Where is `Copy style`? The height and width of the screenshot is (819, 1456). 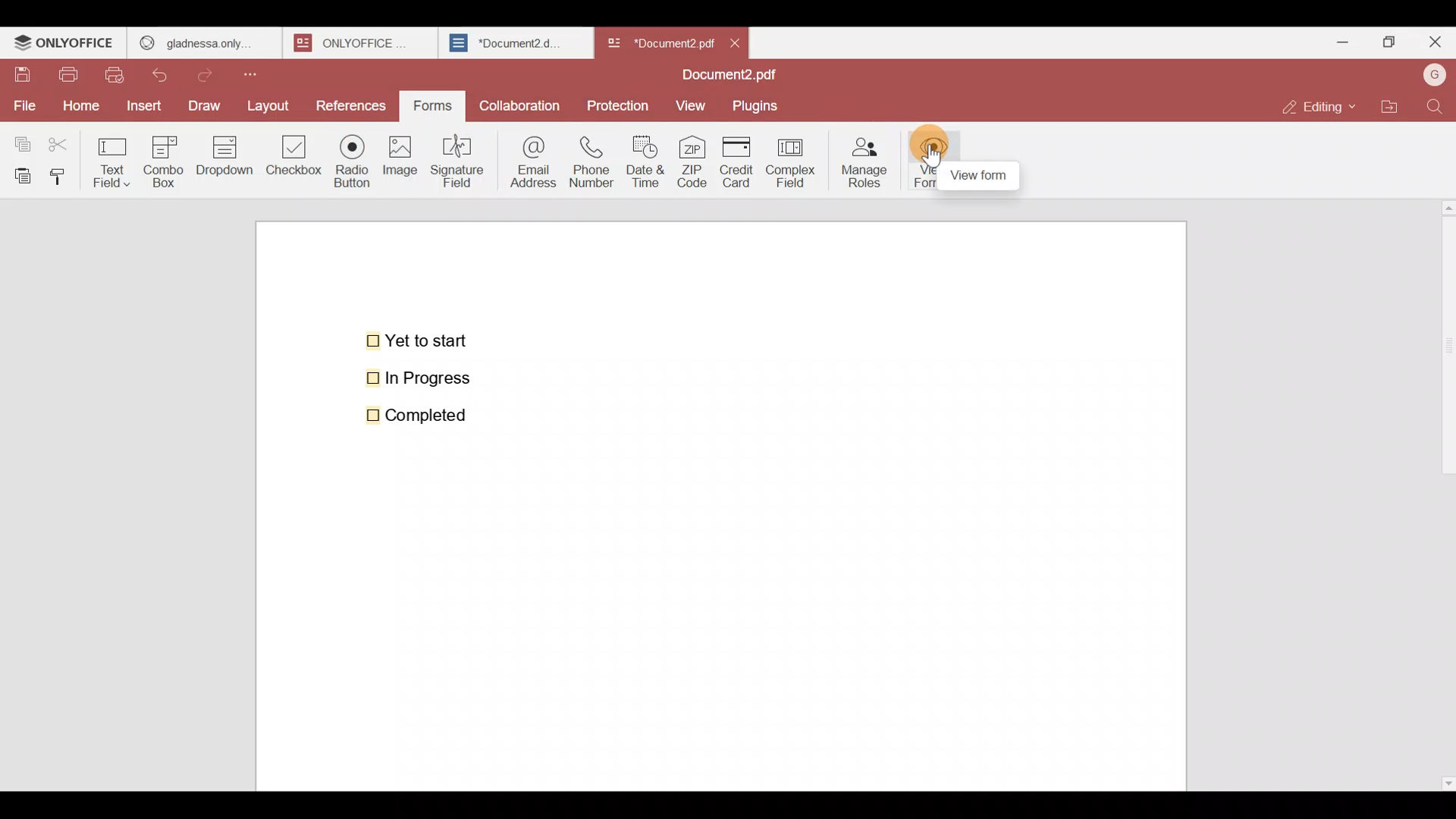 Copy style is located at coordinates (64, 173).